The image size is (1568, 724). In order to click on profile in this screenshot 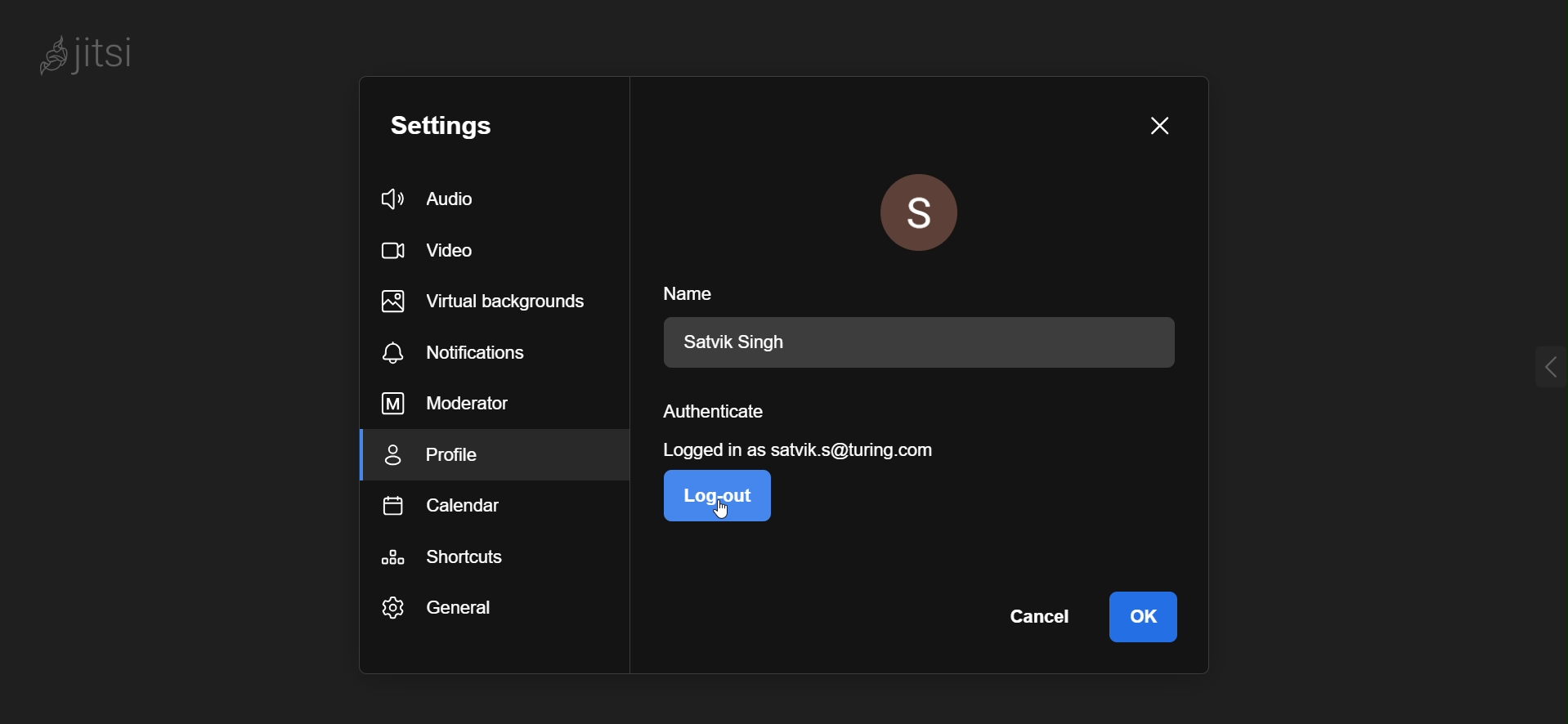, I will do `click(457, 452)`.